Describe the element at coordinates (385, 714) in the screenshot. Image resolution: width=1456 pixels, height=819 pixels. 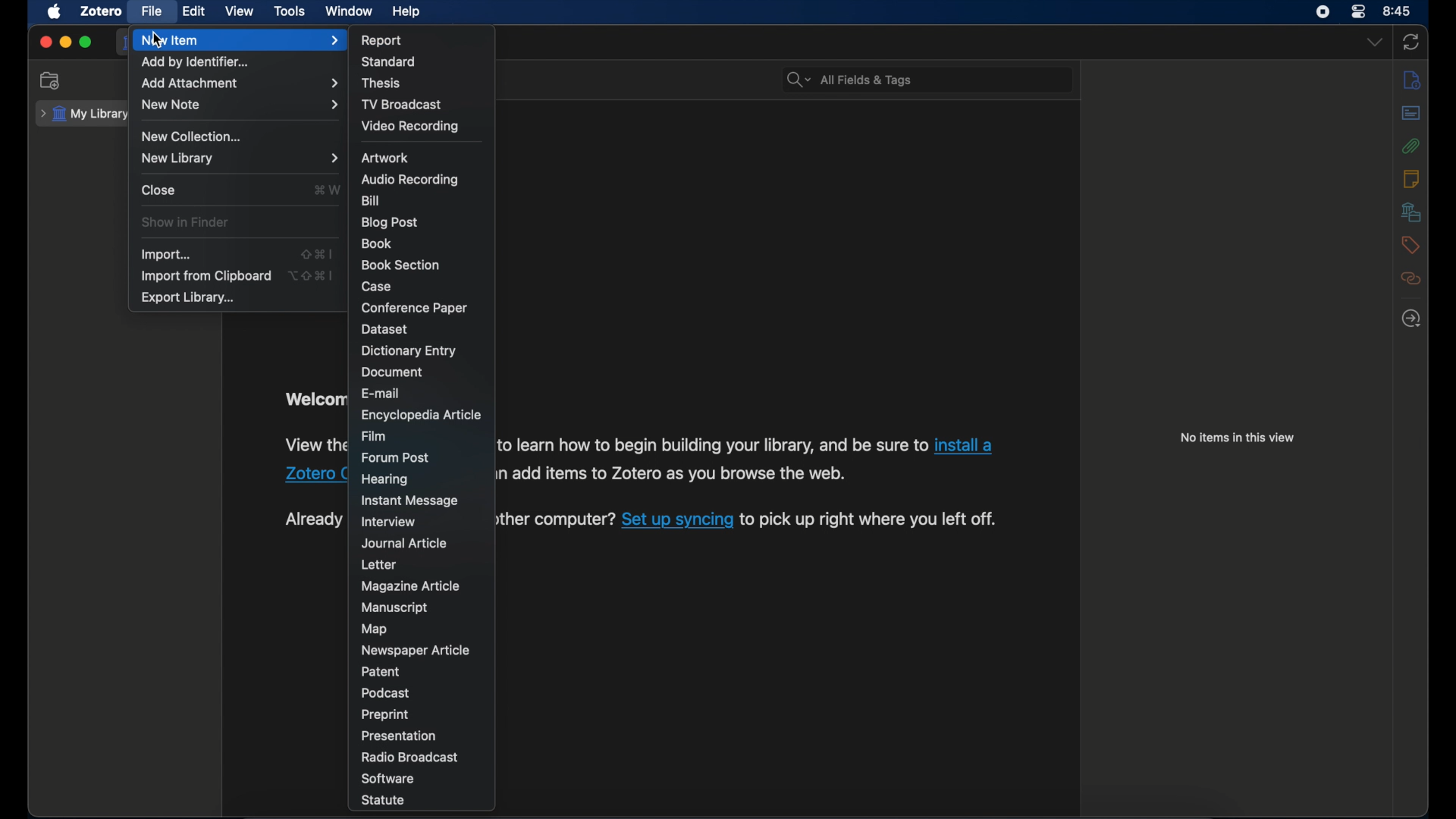
I see `preprint` at that location.